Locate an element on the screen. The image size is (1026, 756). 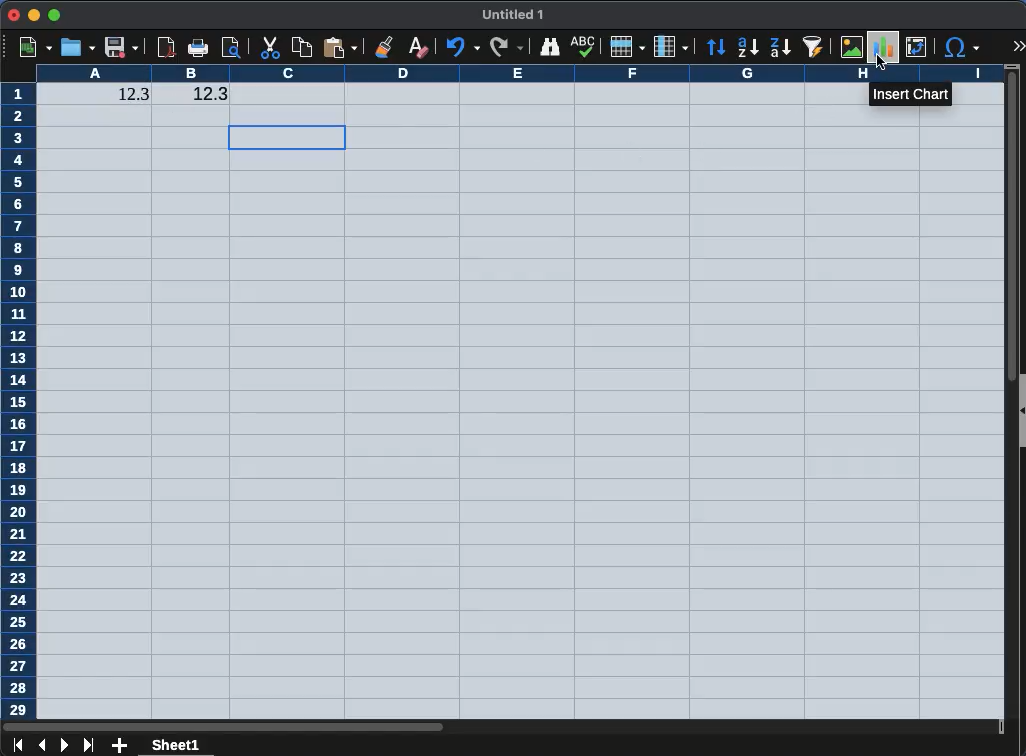
Collapse/Expand is located at coordinates (1022, 410).